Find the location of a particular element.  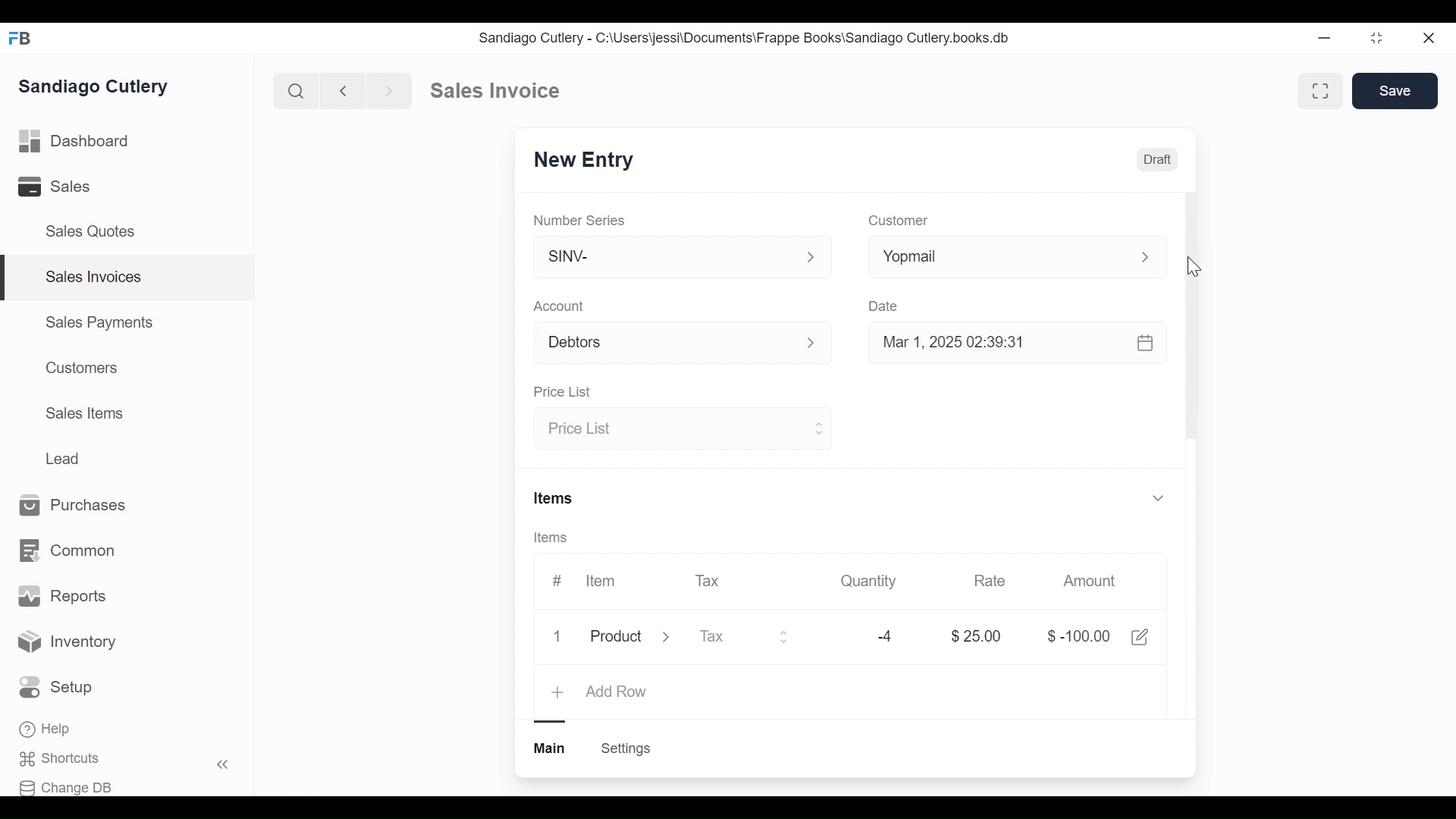

Yopmail  is located at coordinates (1018, 257).